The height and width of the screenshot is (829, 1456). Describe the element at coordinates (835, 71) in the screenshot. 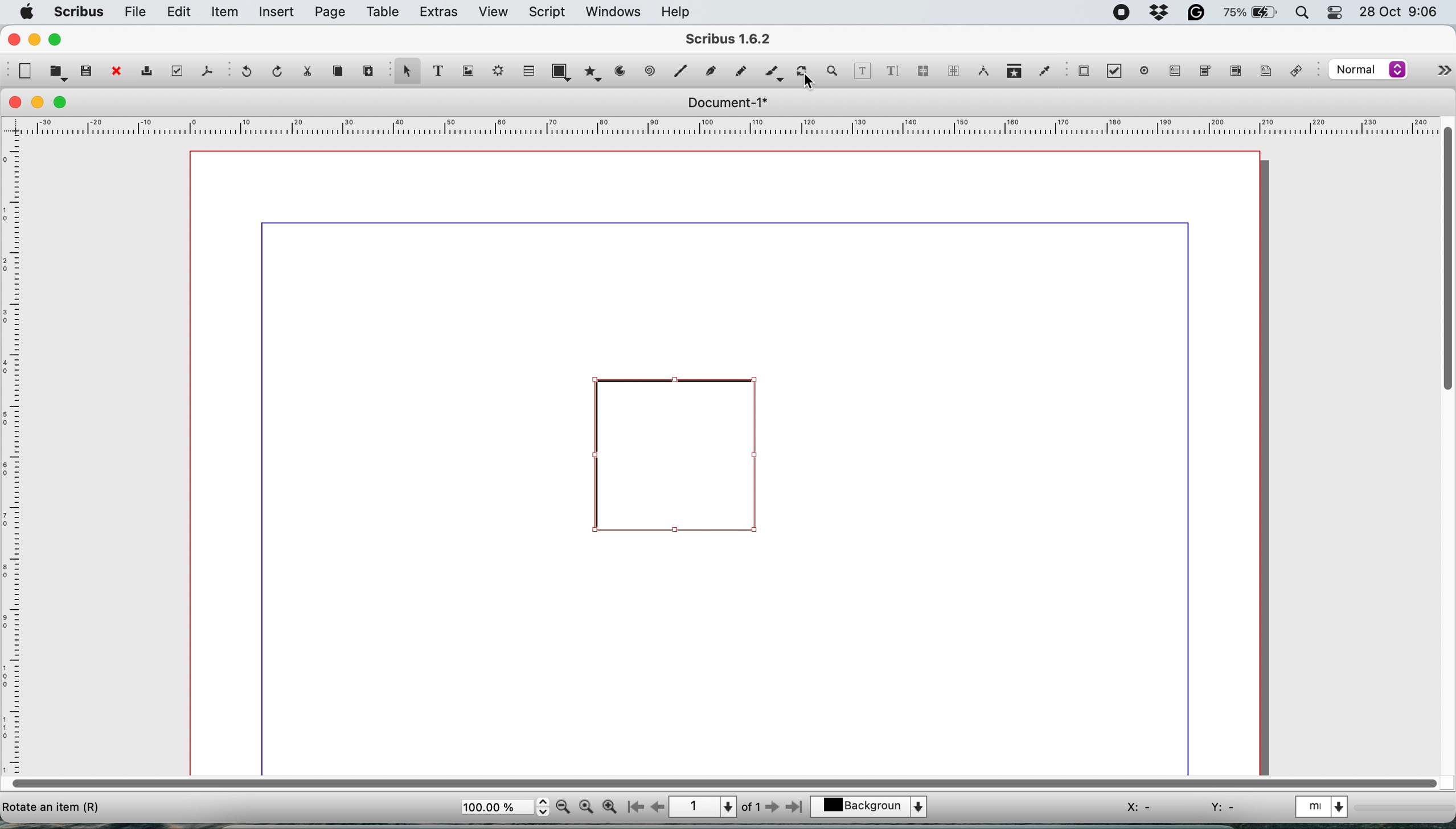

I see `zoom in and out` at that location.